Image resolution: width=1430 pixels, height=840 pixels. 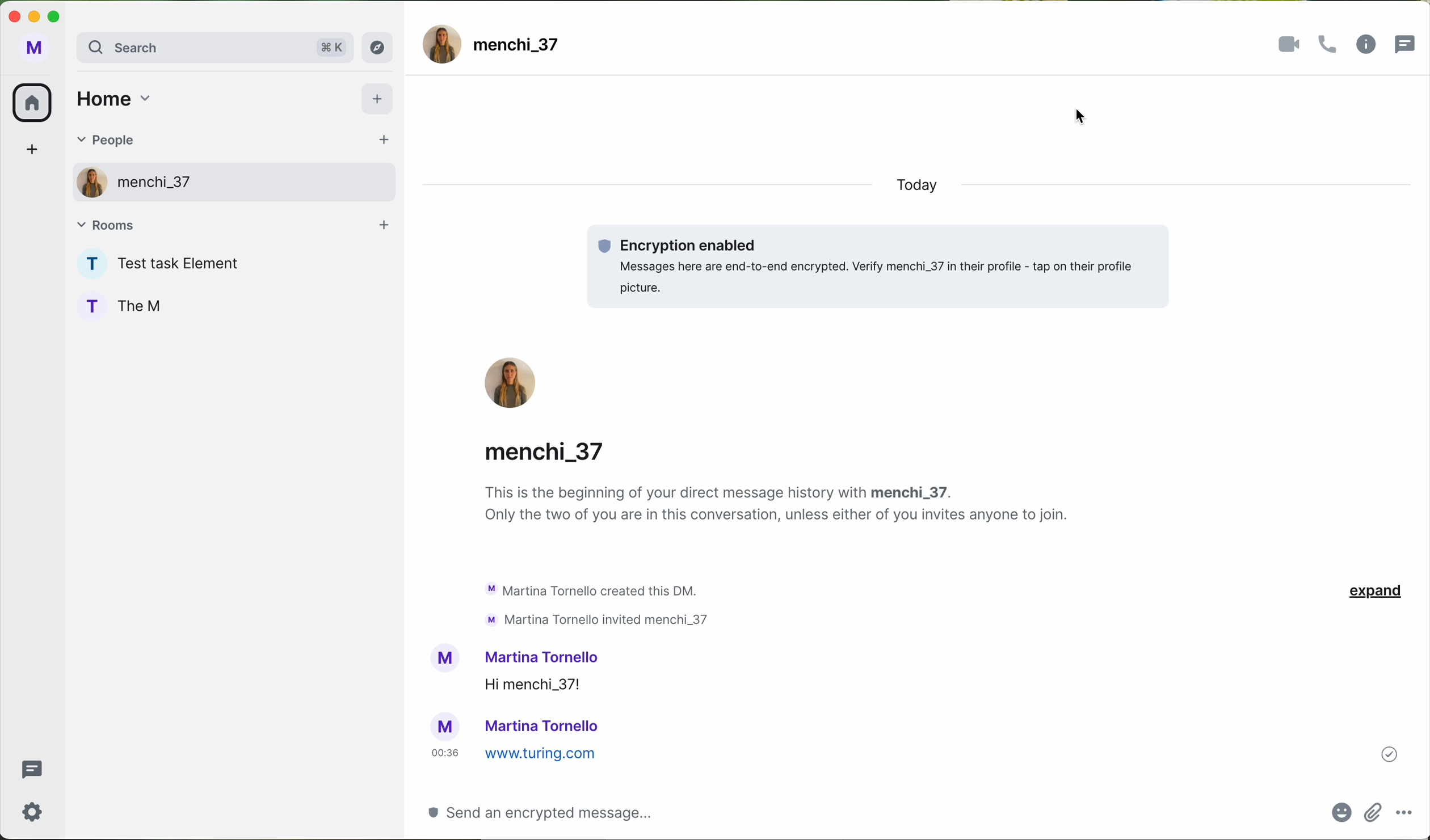 I want to click on M, so click(x=33, y=50).